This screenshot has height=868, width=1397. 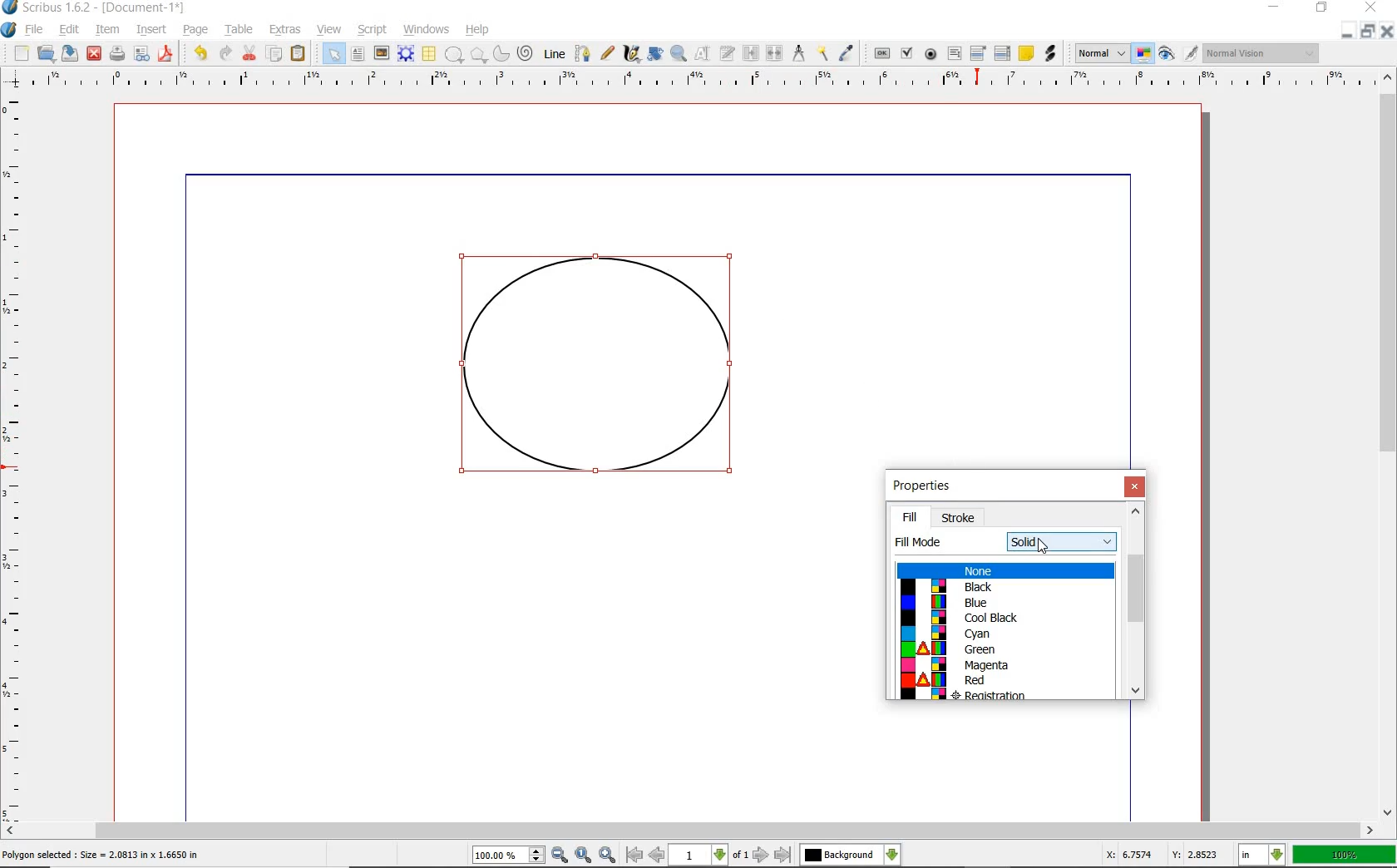 I want to click on EYE DROPPER, so click(x=847, y=54).